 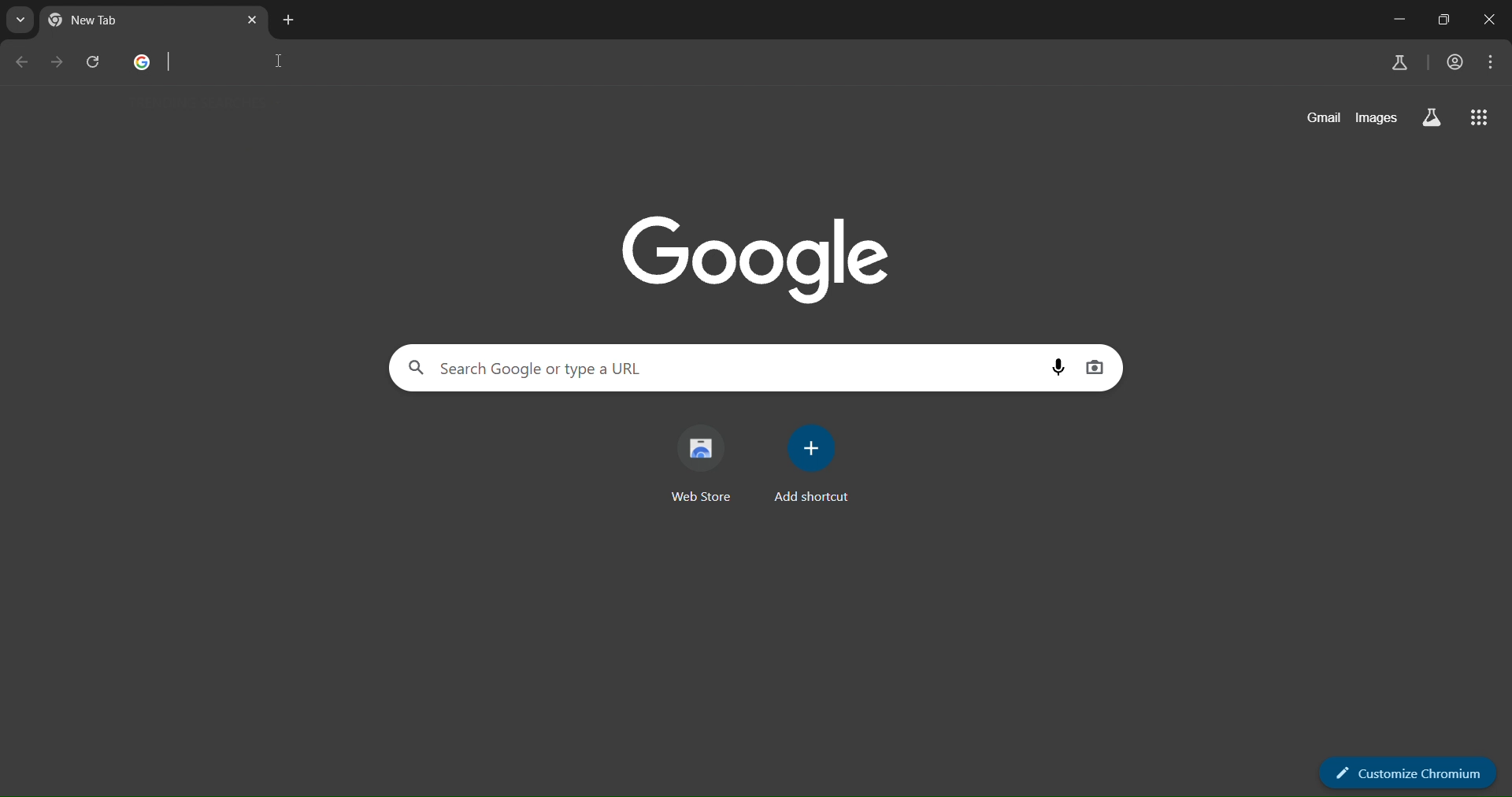 What do you see at coordinates (290, 20) in the screenshot?
I see `new tab` at bounding box center [290, 20].